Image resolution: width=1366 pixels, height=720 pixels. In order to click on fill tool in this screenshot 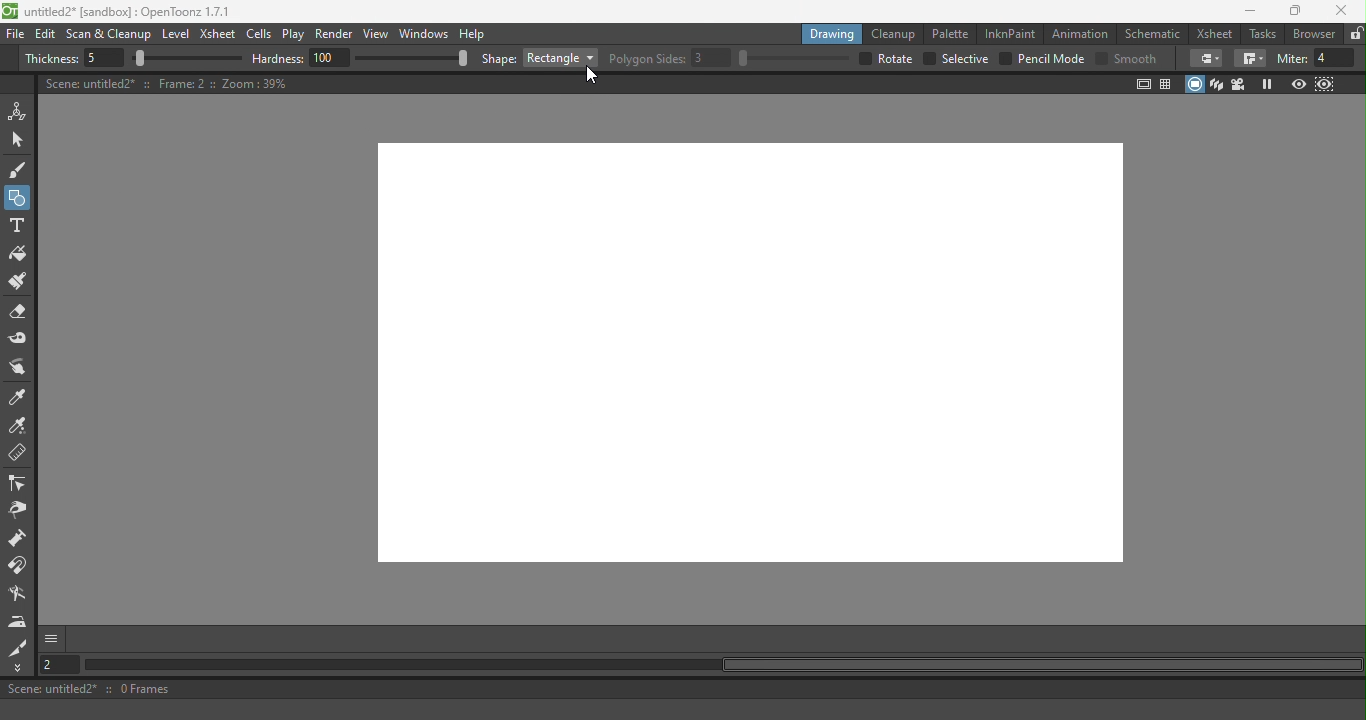, I will do `click(1250, 58)`.